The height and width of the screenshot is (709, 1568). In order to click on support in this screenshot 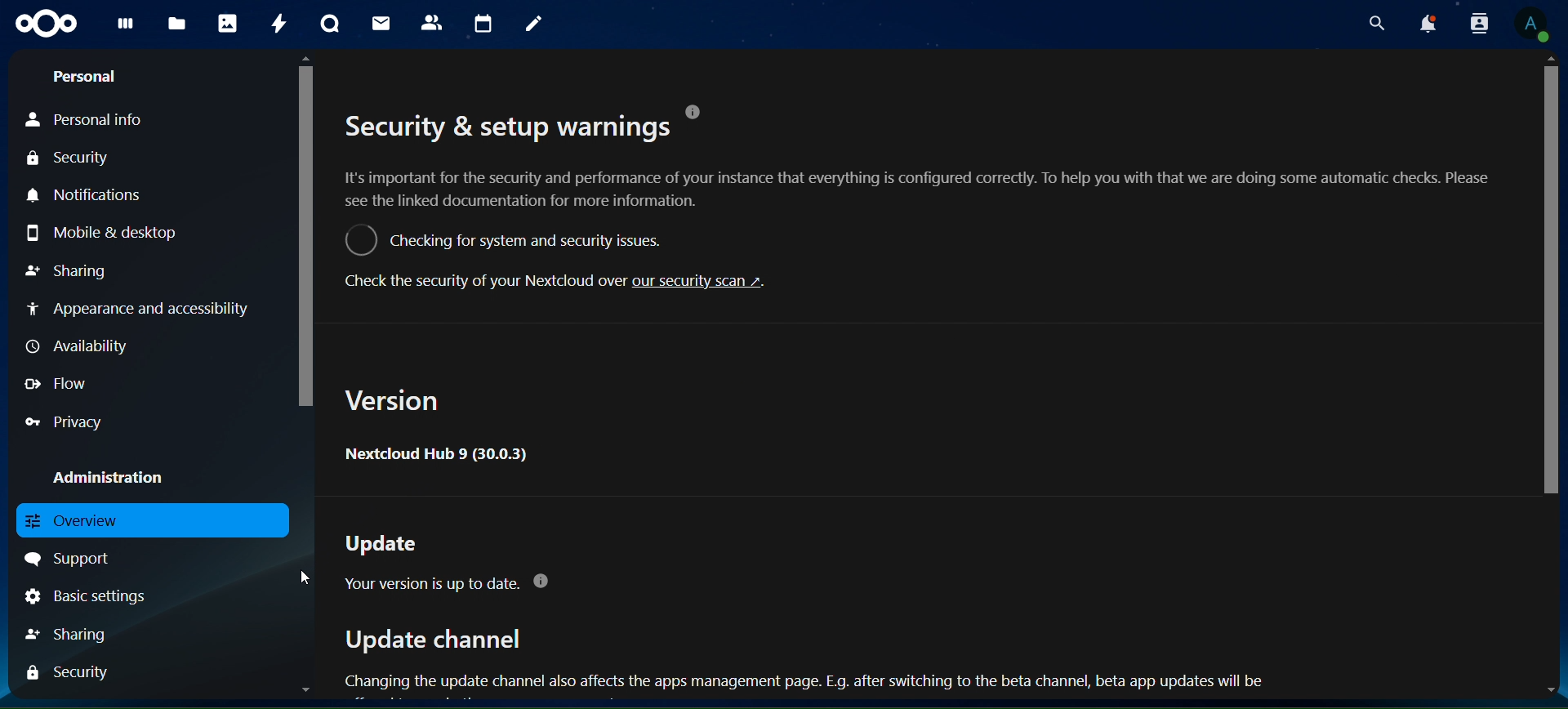, I will do `click(72, 556)`.